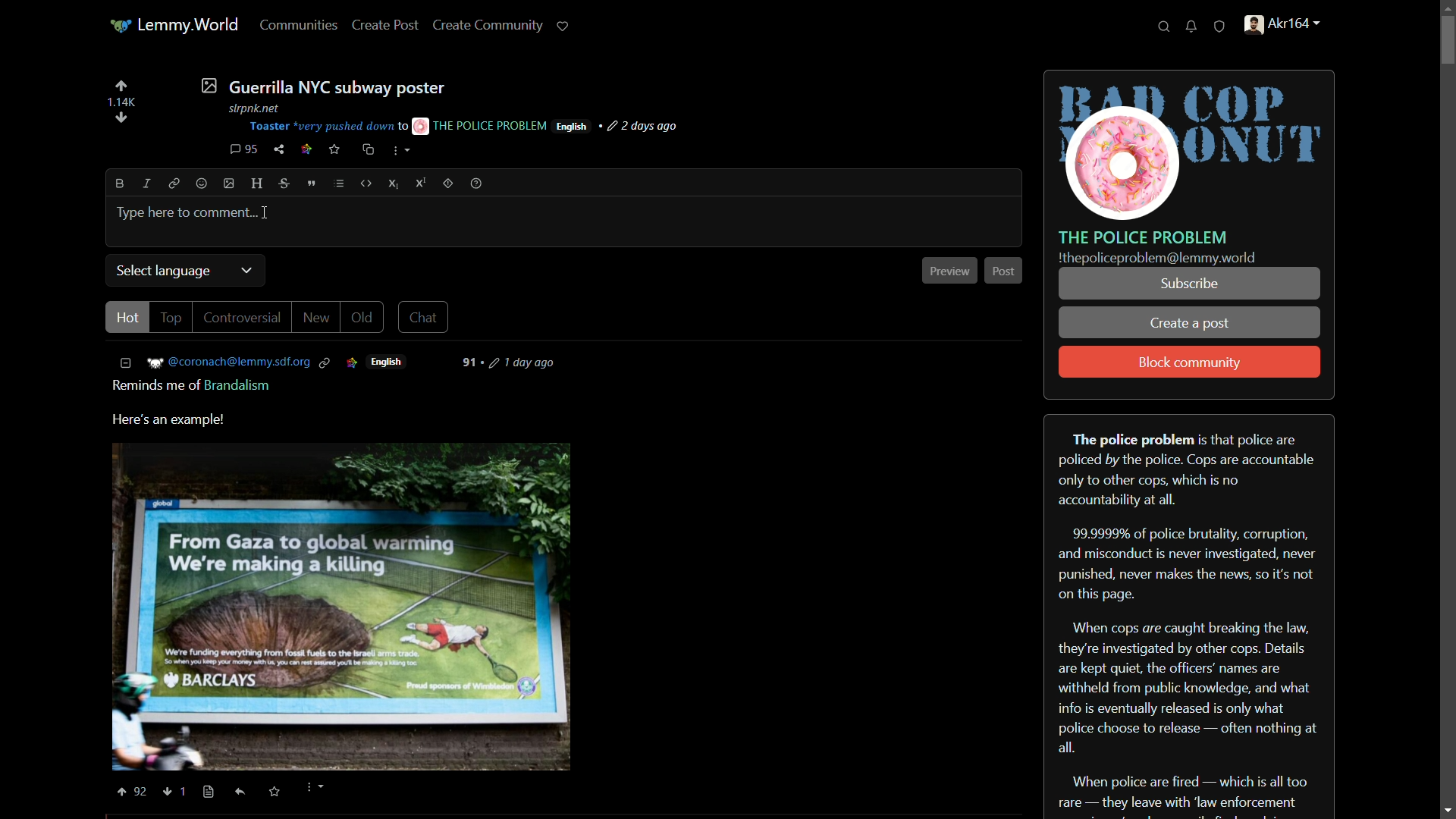 The width and height of the screenshot is (1456, 819). What do you see at coordinates (118, 27) in the screenshot?
I see `icon` at bounding box center [118, 27].